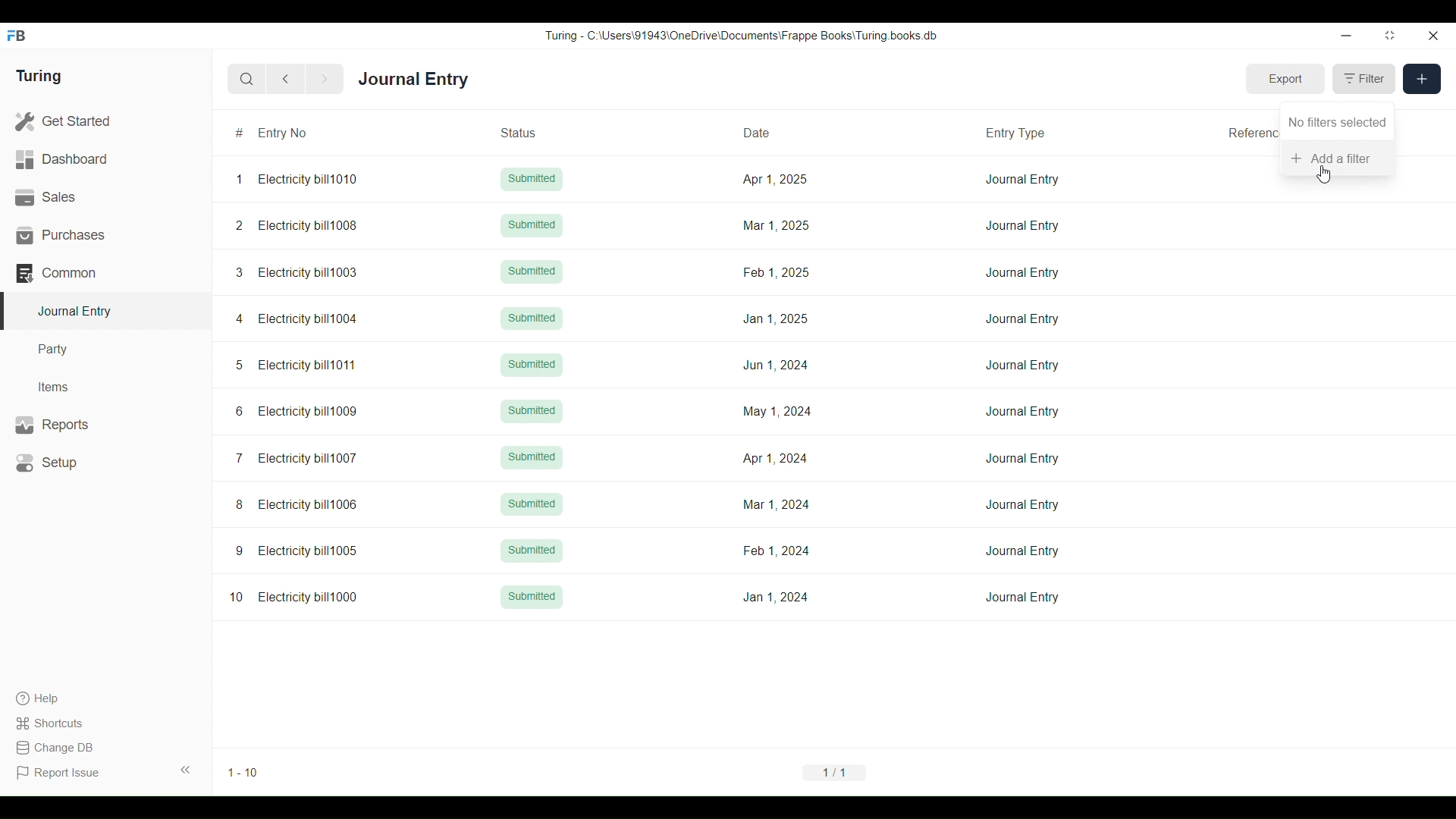  I want to click on Sales, so click(105, 197).